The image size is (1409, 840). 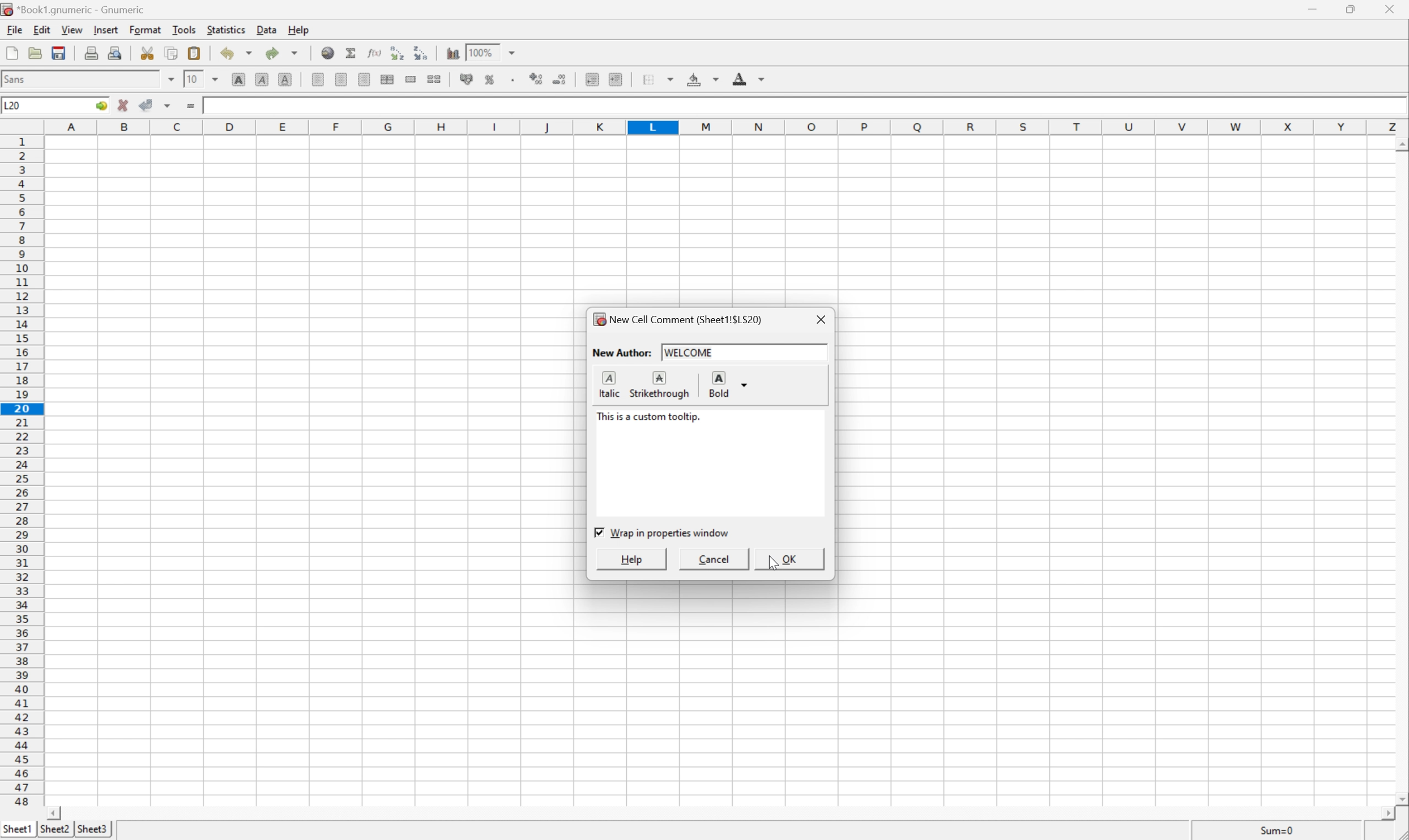 What do you see at coordinates (194, 80) in the screenshot?
I see `10` at bounding box center [194, 80].